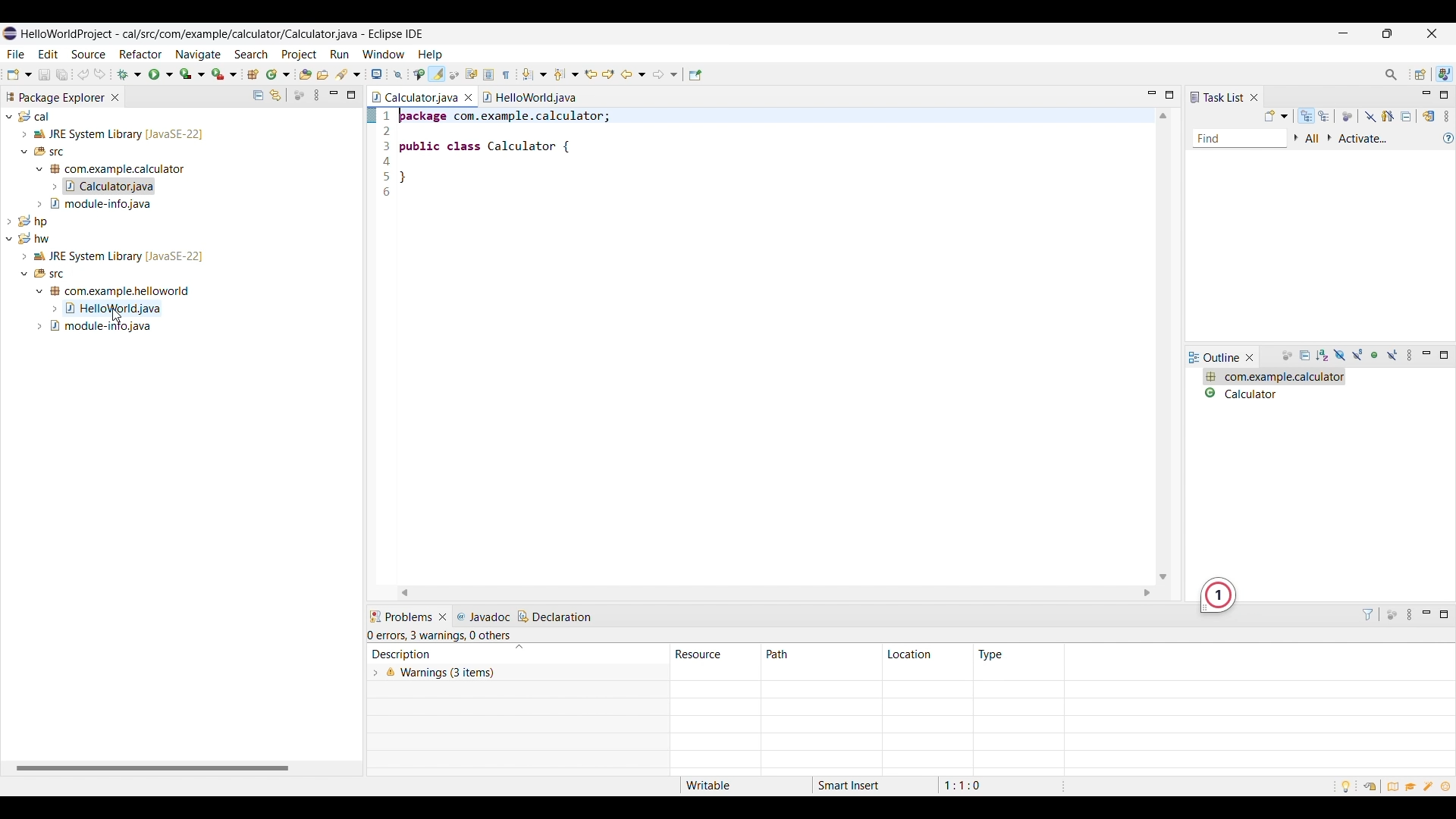 The image size is (1456, 819). Describe the element at coordinates (442, 636) in the screenshot. I see `Current errors and warnings` at that location.